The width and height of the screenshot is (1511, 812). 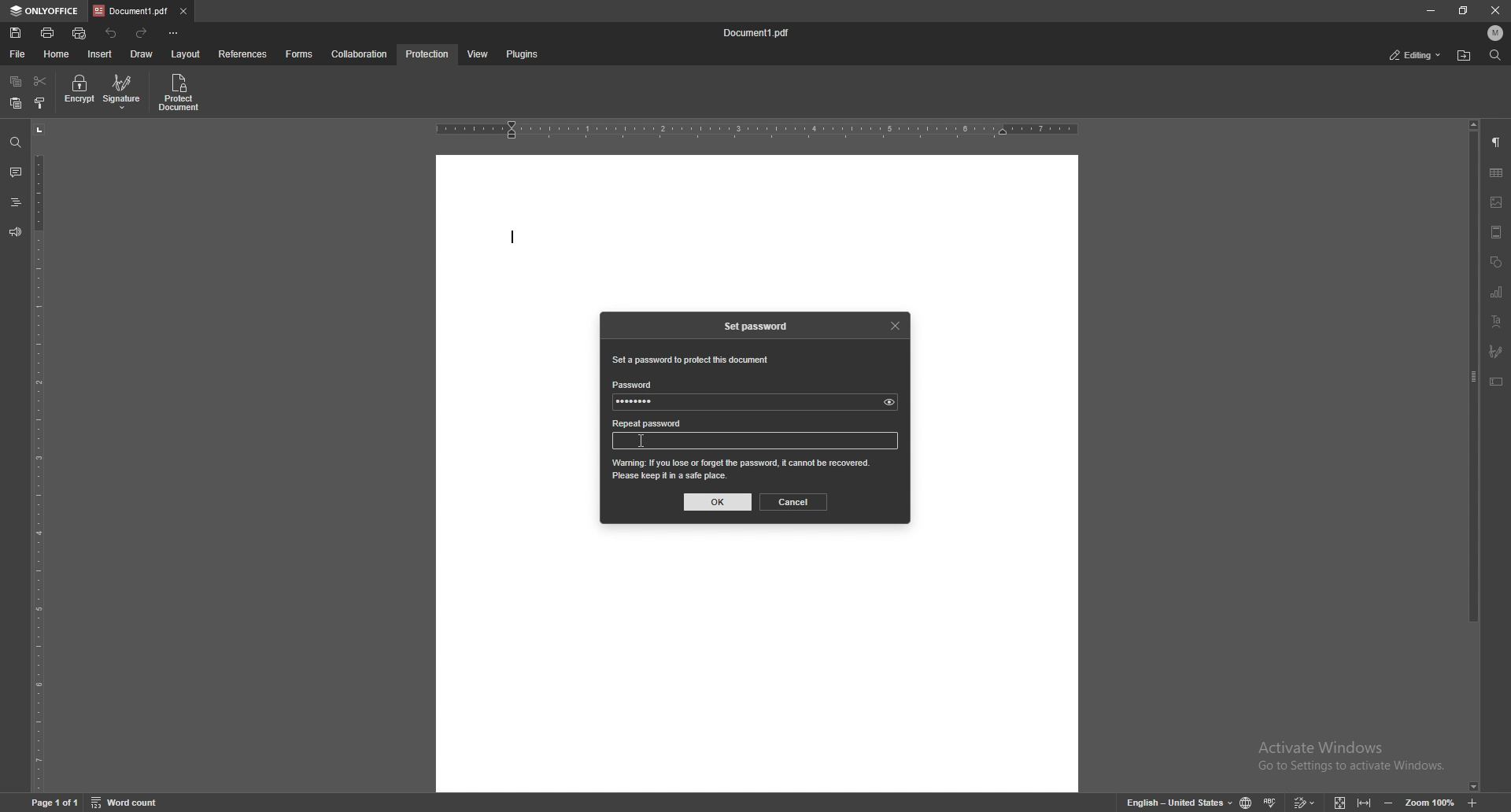 What do you see at coordinates (99, 55) in the screenshot?
I see `insert` at bounding box center [99, 55].